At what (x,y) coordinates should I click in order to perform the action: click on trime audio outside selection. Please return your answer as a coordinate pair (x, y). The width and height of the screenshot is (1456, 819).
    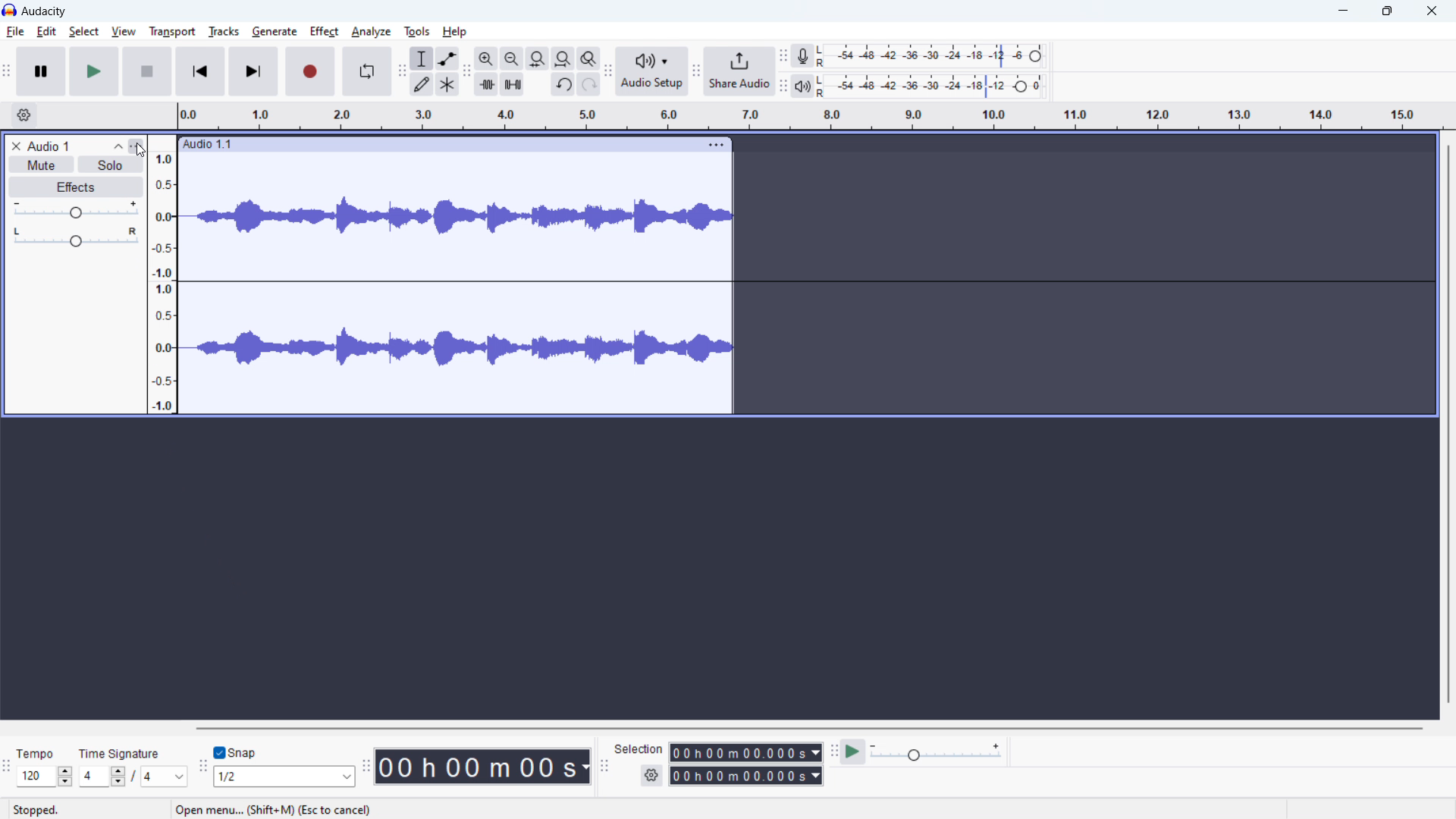
    Looking at the image, I should click on (487, 84).